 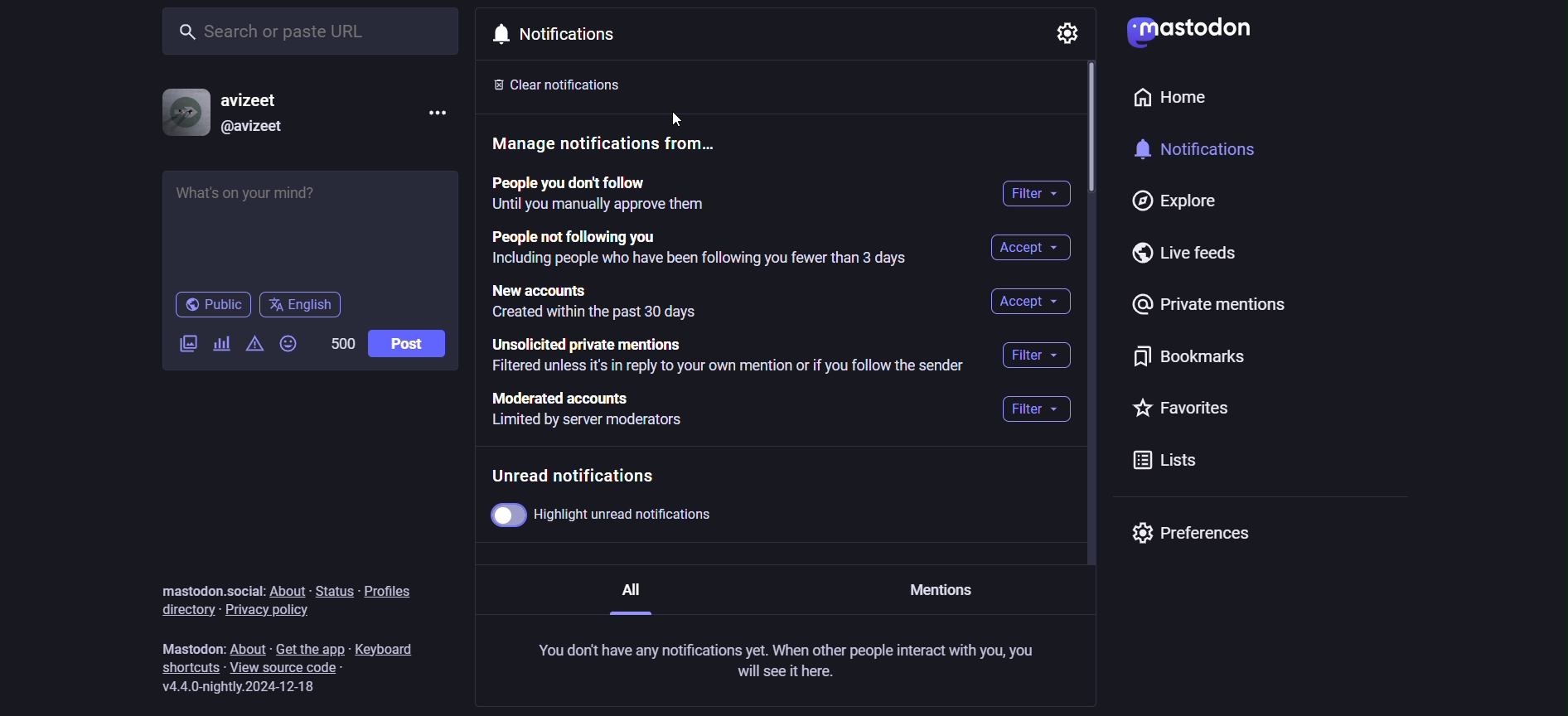 What do you see at coordinates (612, 147) in the screenshot?
I see `manage notification from` at bounding box center [612, 147].